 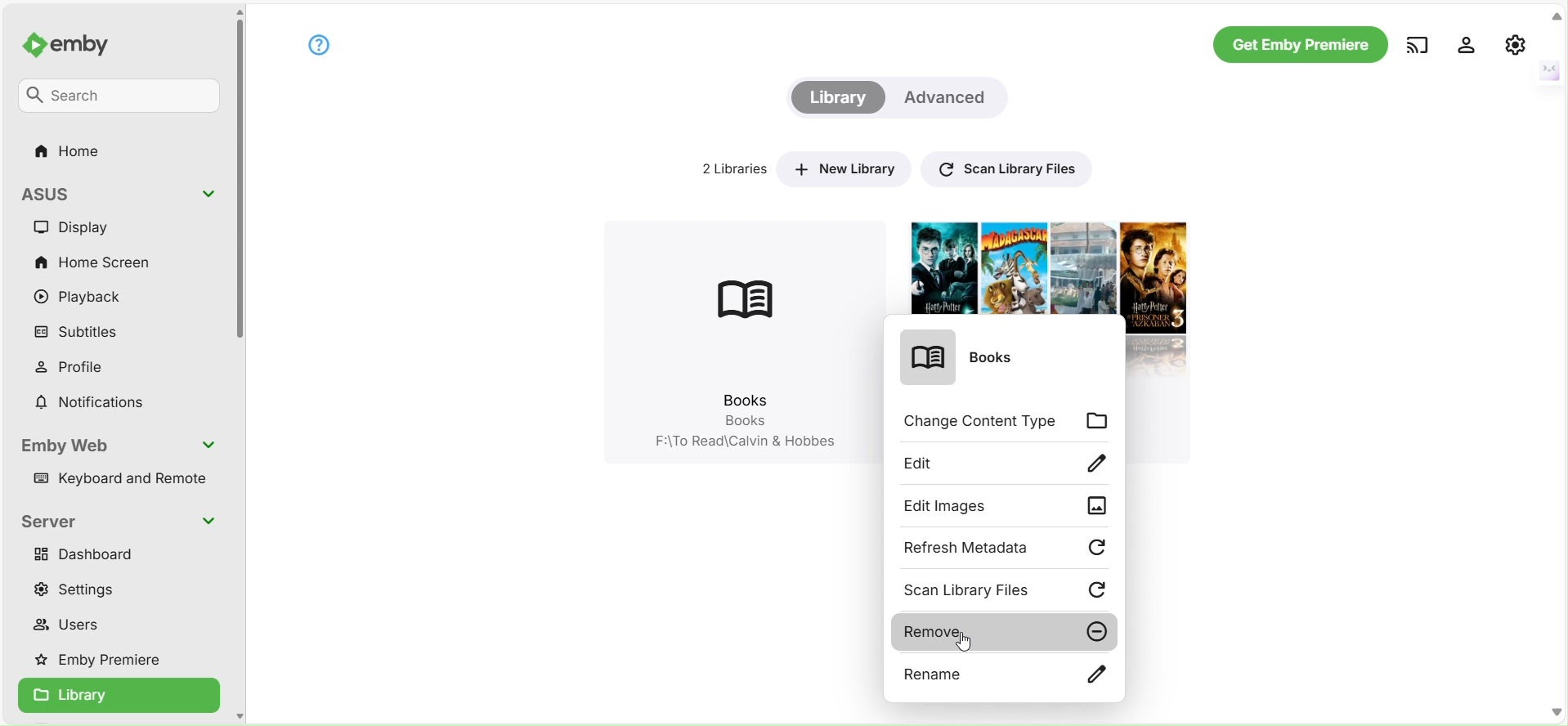 I want to click on Edit Images, so click(x=1006, y=507).